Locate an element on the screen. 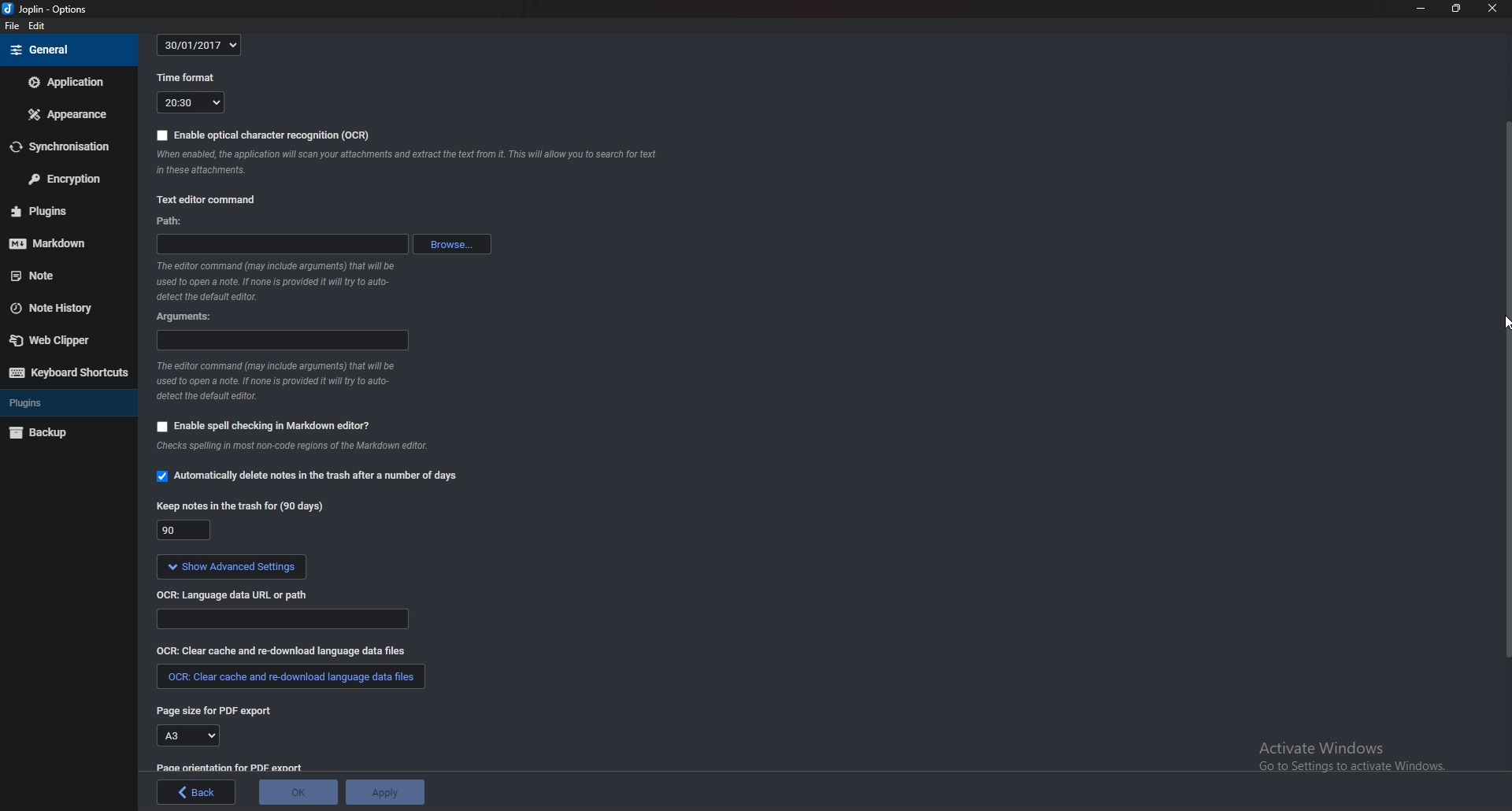 The image size is (1512, 811). ok is located at coordinates (298, 792).